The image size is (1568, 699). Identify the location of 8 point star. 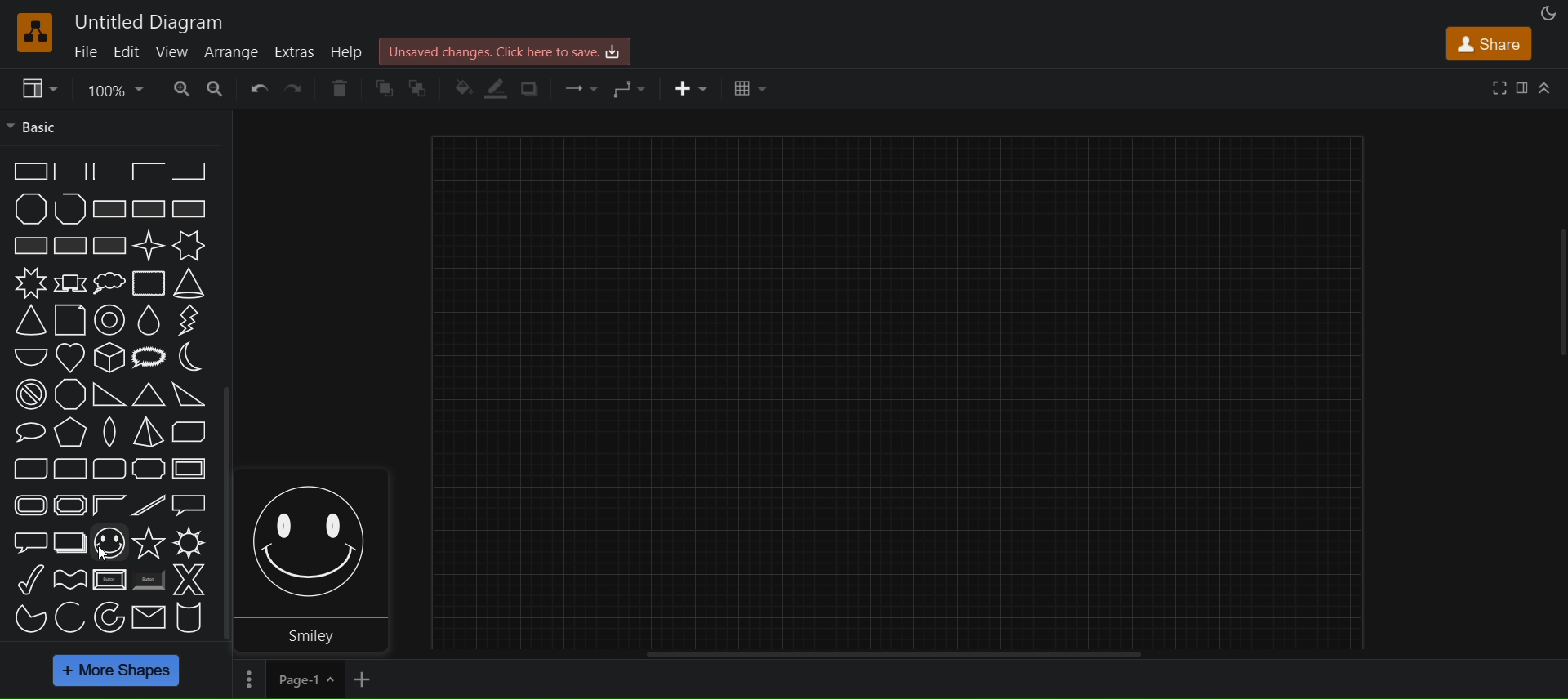
(30, 282).